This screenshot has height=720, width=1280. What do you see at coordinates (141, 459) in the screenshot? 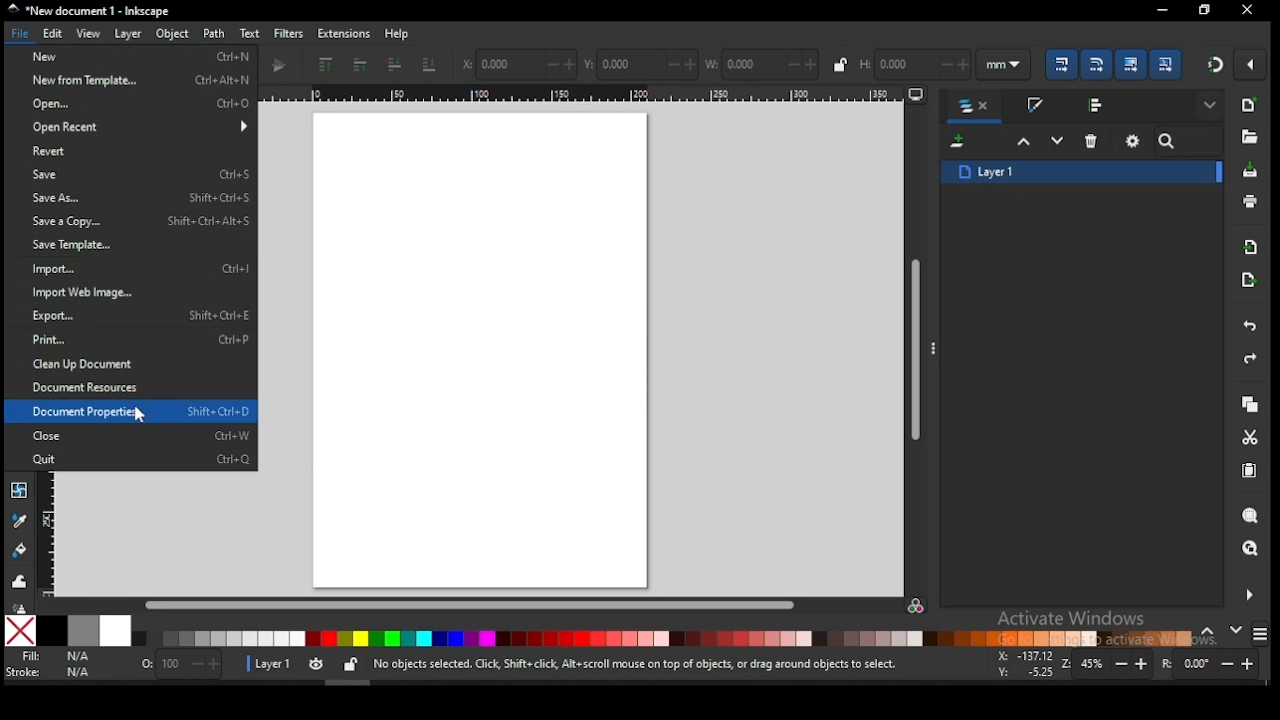
I see `quit` at bounding box center [141, 459].